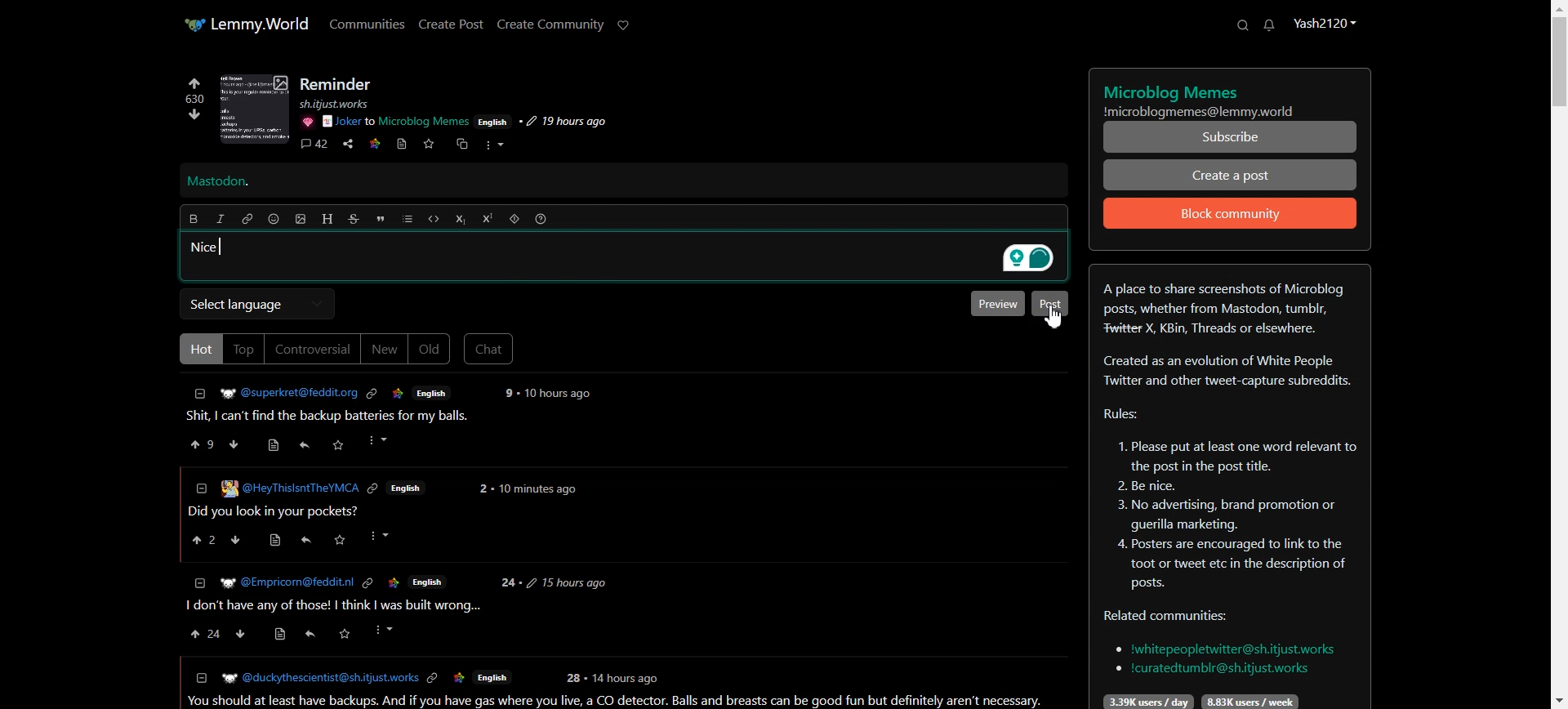  I want to click on English, so click(408, 488).